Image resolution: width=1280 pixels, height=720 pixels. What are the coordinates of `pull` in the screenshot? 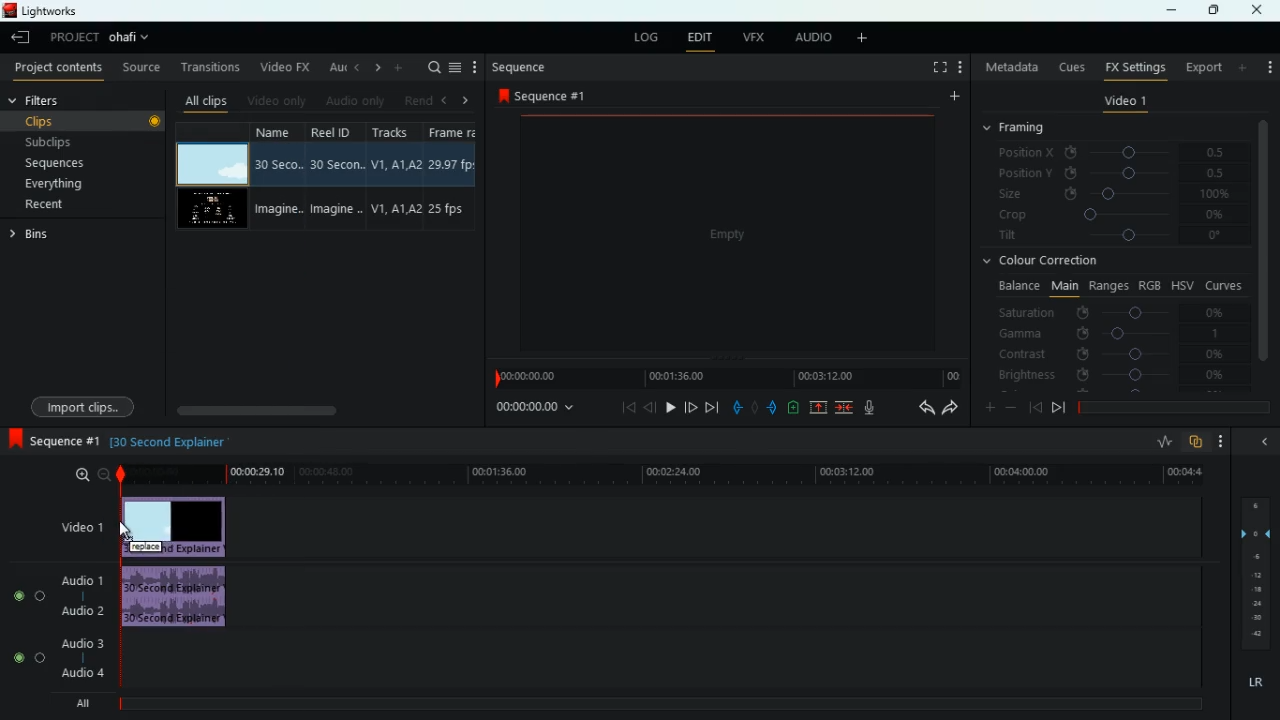 It's located at (736, 406).